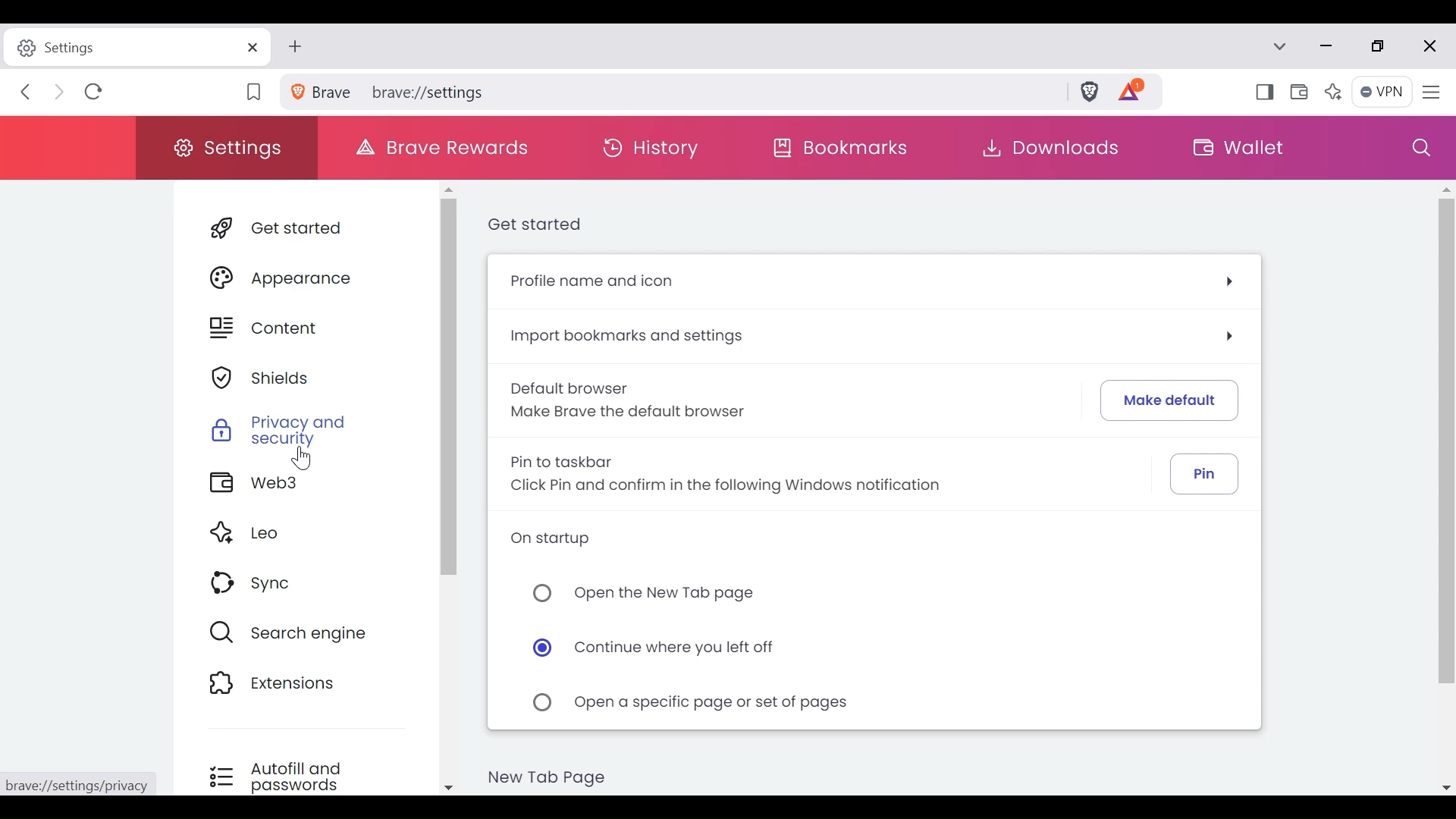  What do you see at coordinates (548, 537) in the screenshot?
I see `On Startup` at bounding box center [548, 537].